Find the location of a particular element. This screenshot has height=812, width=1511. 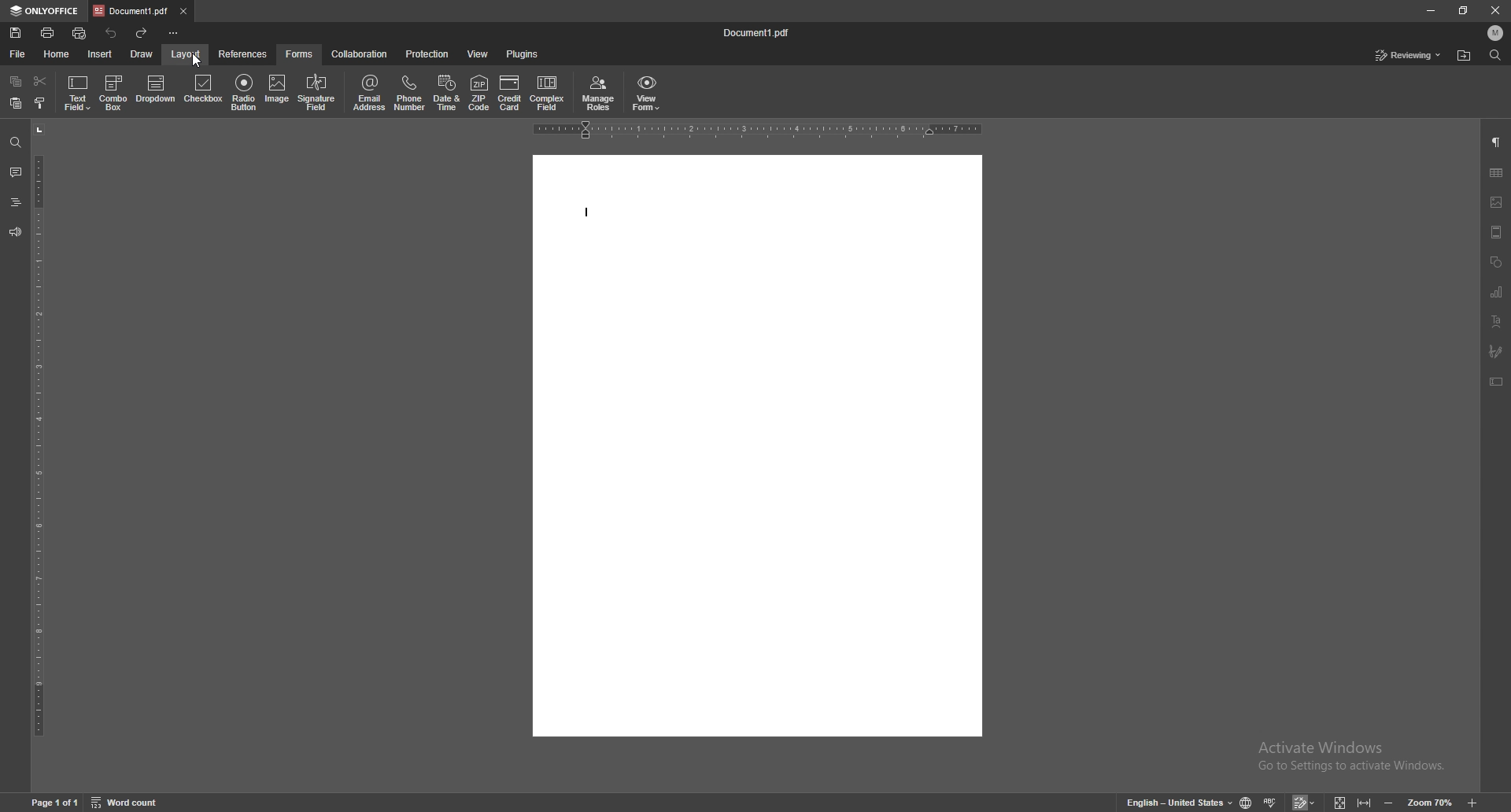

text field is located at coordinates (79, 92).